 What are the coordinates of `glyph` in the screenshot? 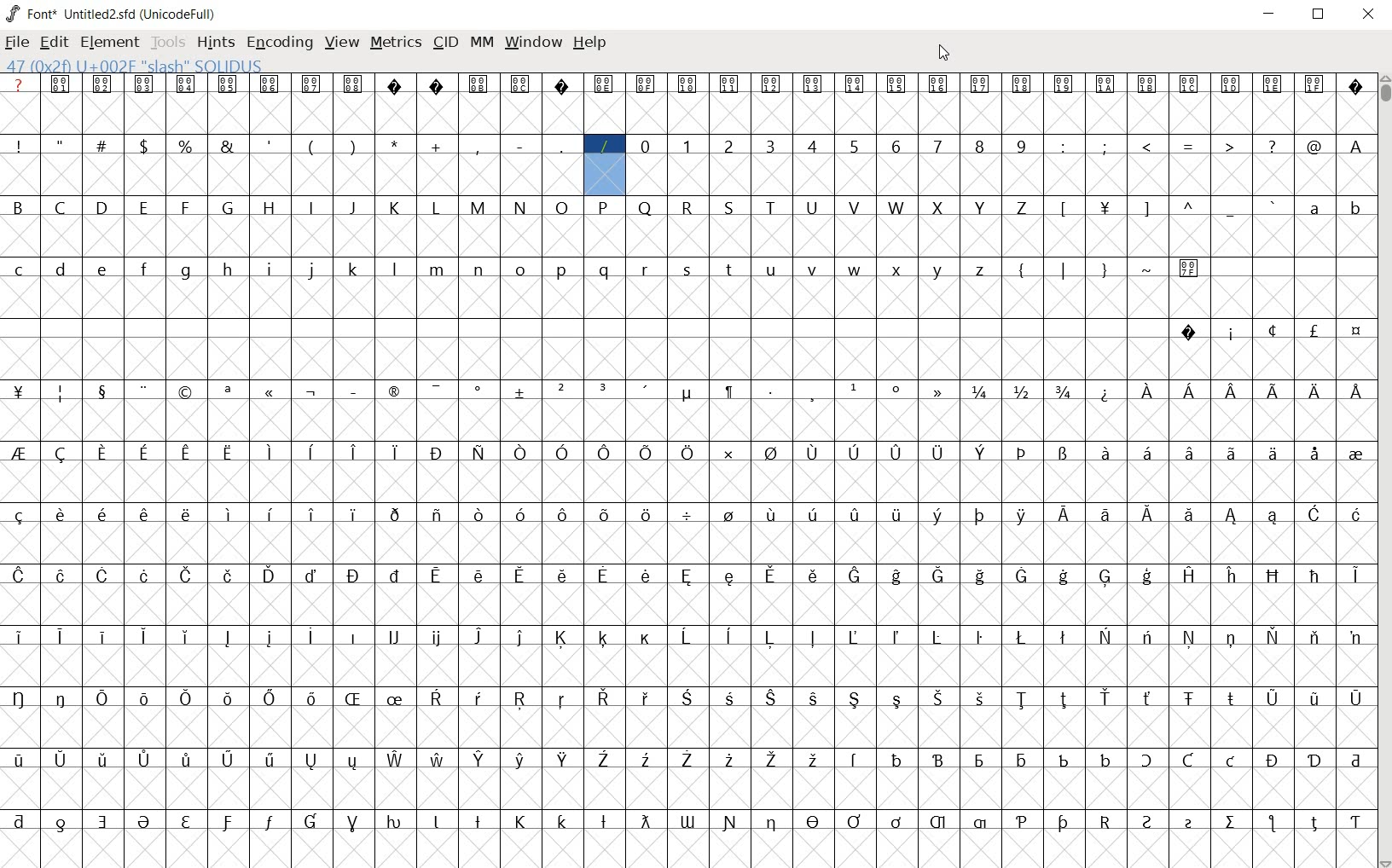 It's located at (435, 822).